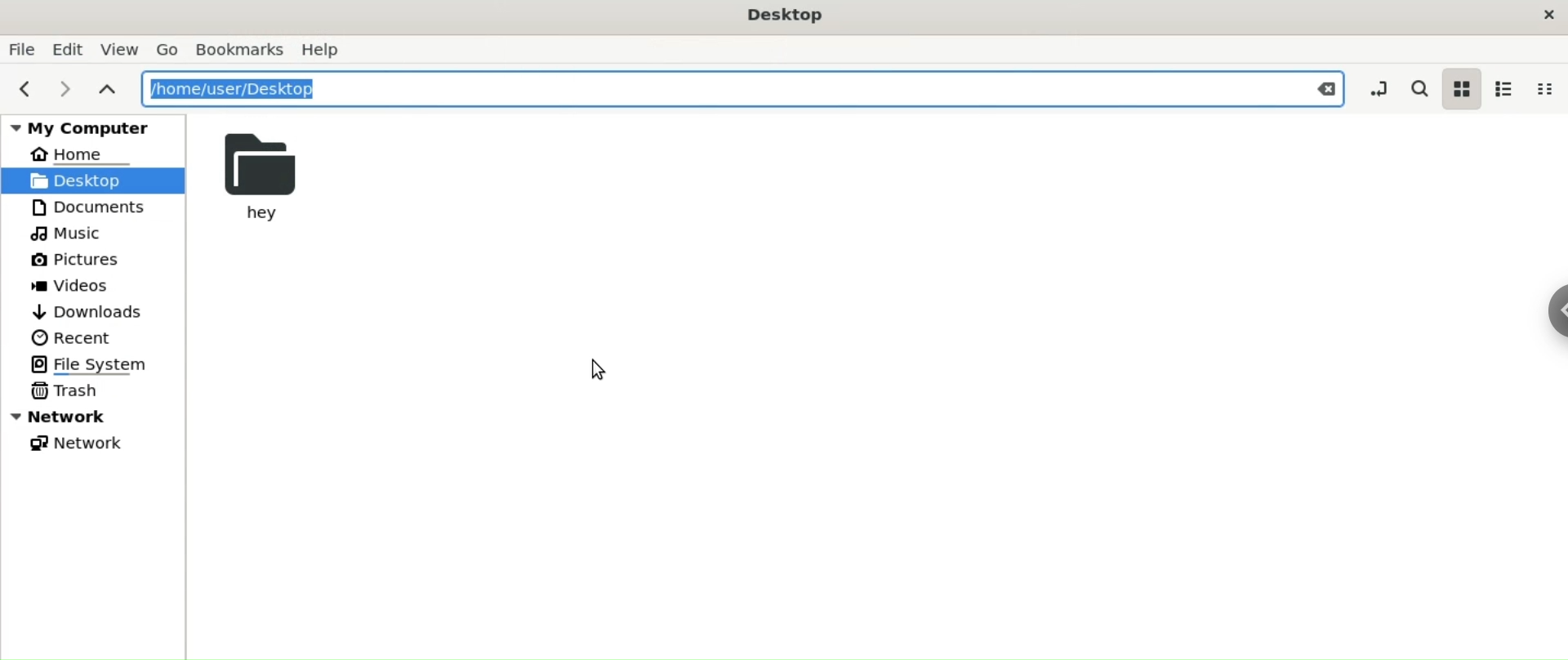 The width and height of the screenshot is (1568, 660). Describe the element at coordinates (77, 256) in the screenshot. I see `Pictures` at that location.